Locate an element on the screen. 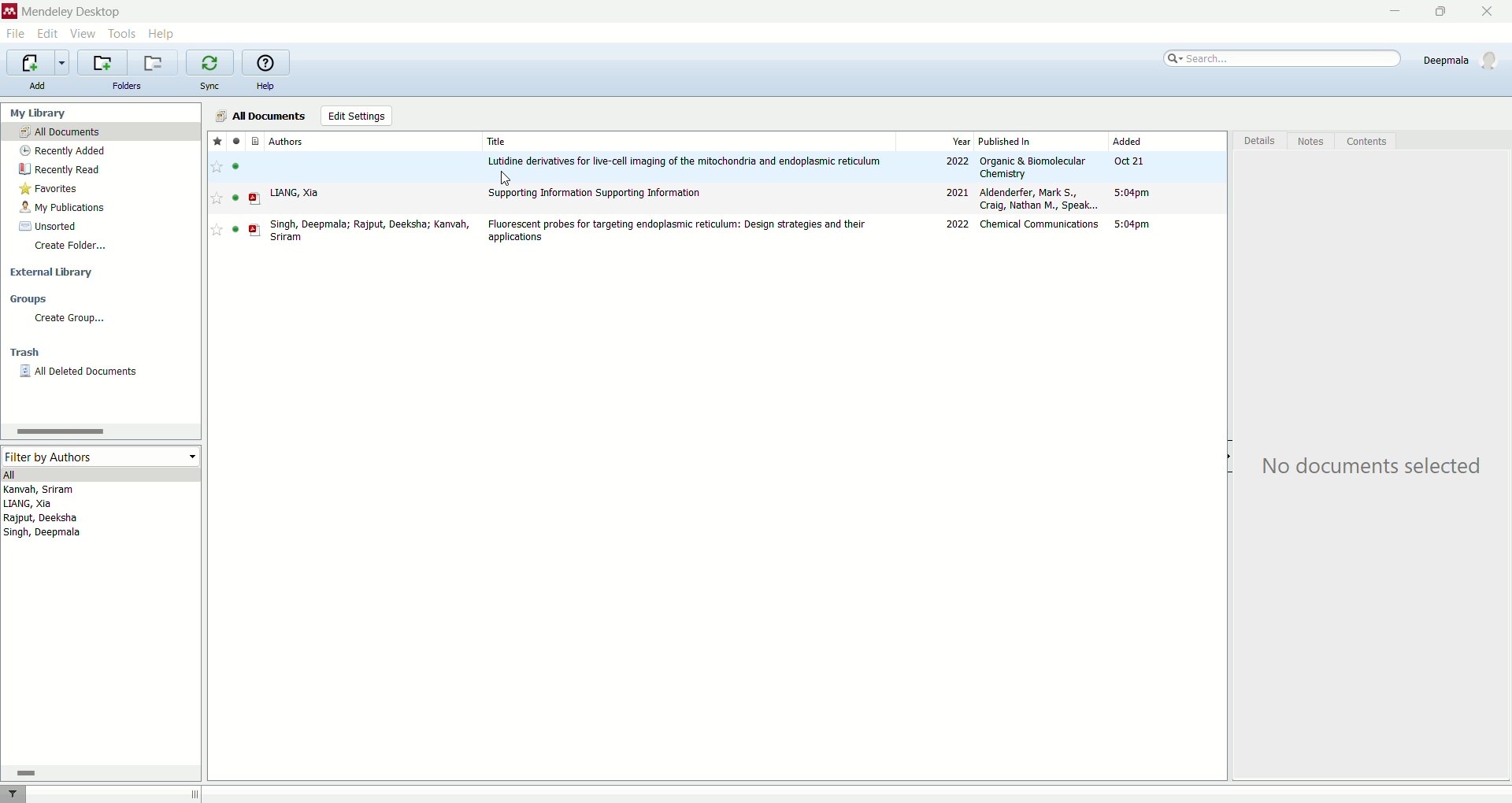 The width and height of the screenshot is (1512, 803). filter by authors is located at coordinates (101, 455).